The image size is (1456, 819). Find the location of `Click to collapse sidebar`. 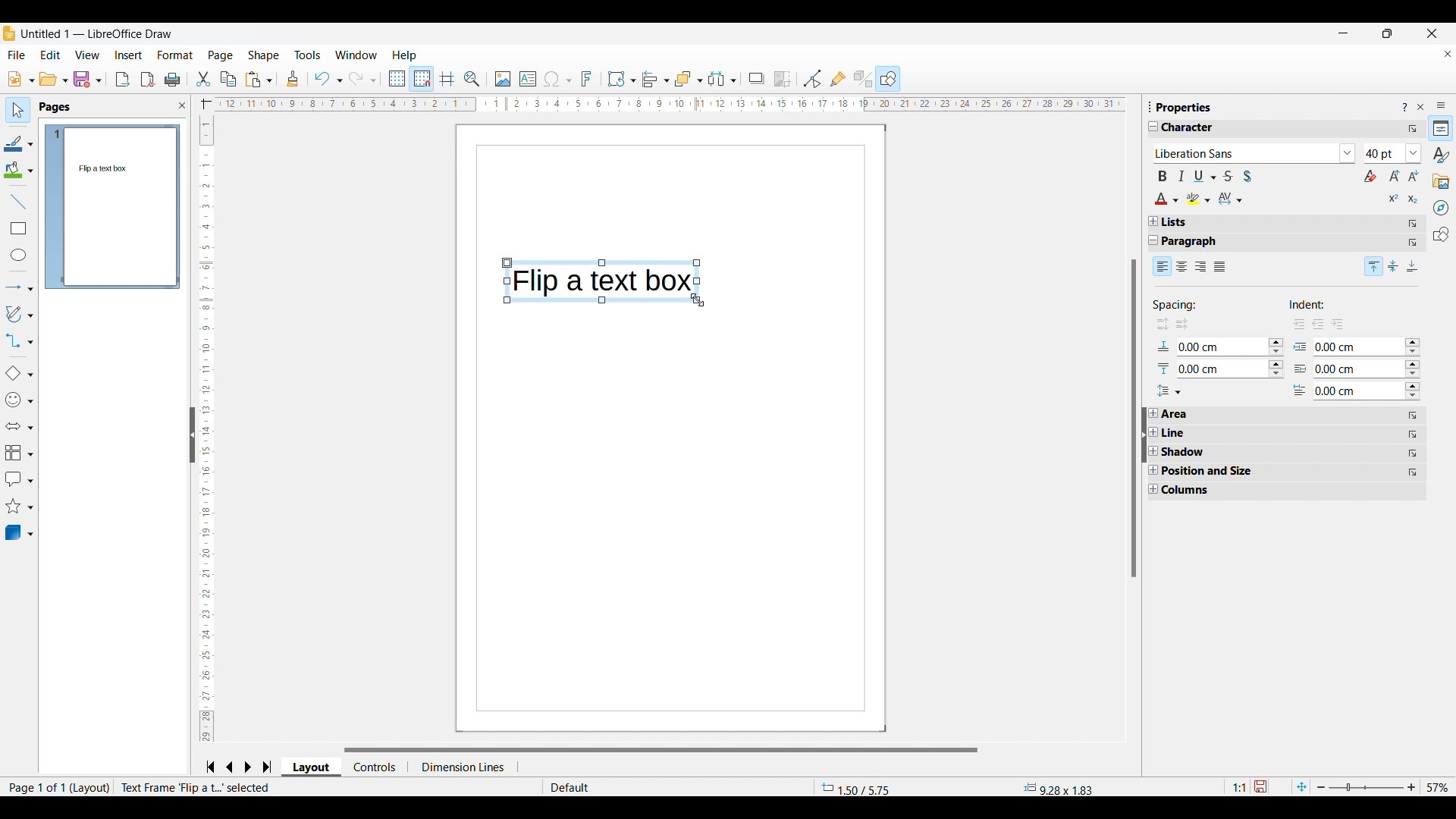

Click to collapse sidebar is located at coordinates (1144, 435).